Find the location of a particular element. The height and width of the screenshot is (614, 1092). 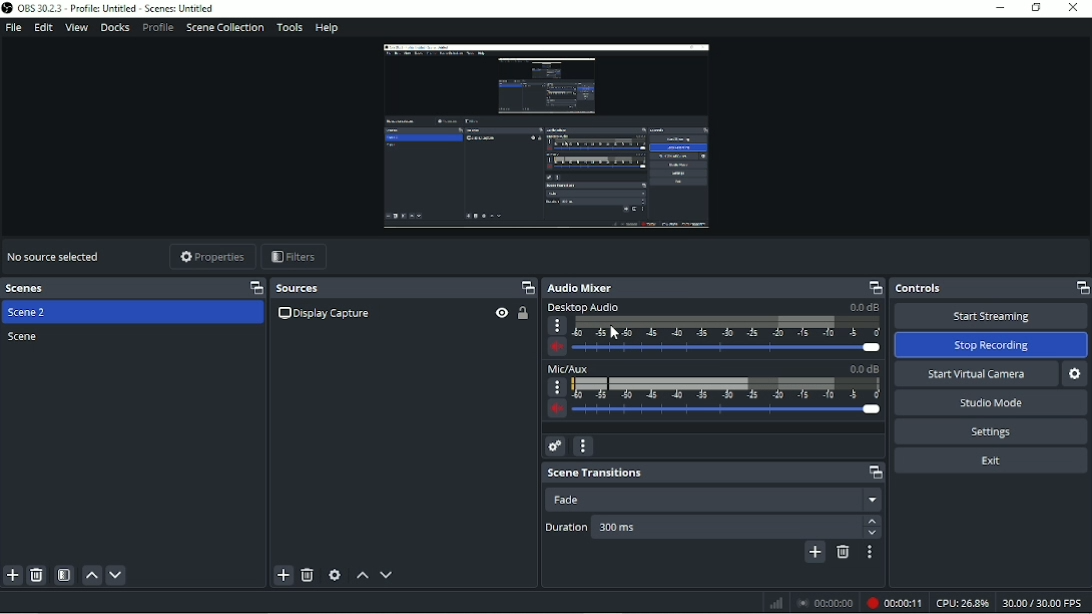

Scene transitions is located at coordinates (713, 473).